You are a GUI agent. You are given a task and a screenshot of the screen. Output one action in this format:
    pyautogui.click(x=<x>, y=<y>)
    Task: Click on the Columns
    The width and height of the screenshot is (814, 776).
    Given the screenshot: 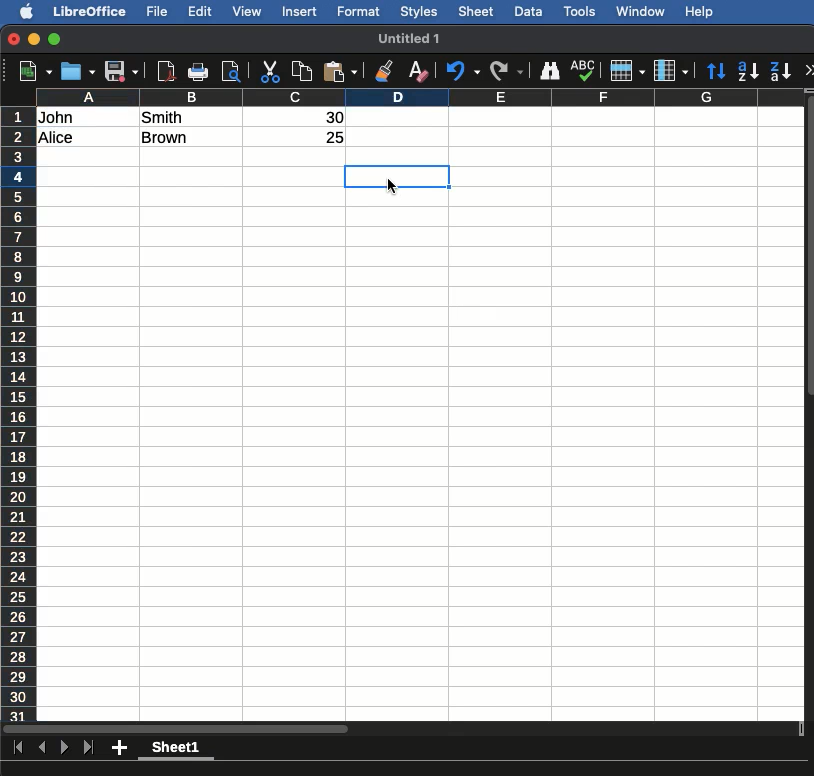 What is the action you would take?
    pyautogui.click(x=671, y=69)
    